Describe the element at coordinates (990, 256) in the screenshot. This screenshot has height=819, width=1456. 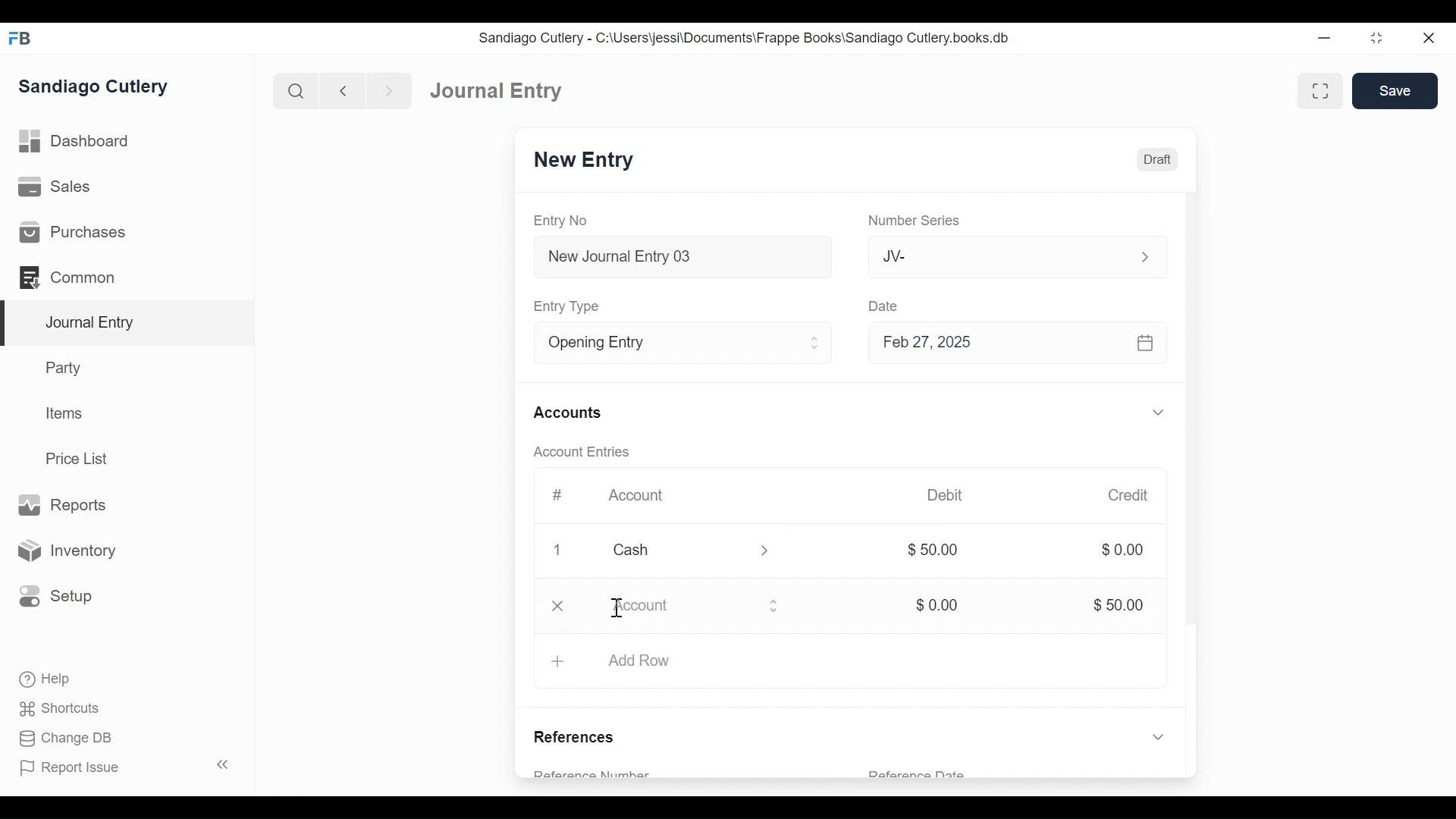
I see `JV-` at that location.